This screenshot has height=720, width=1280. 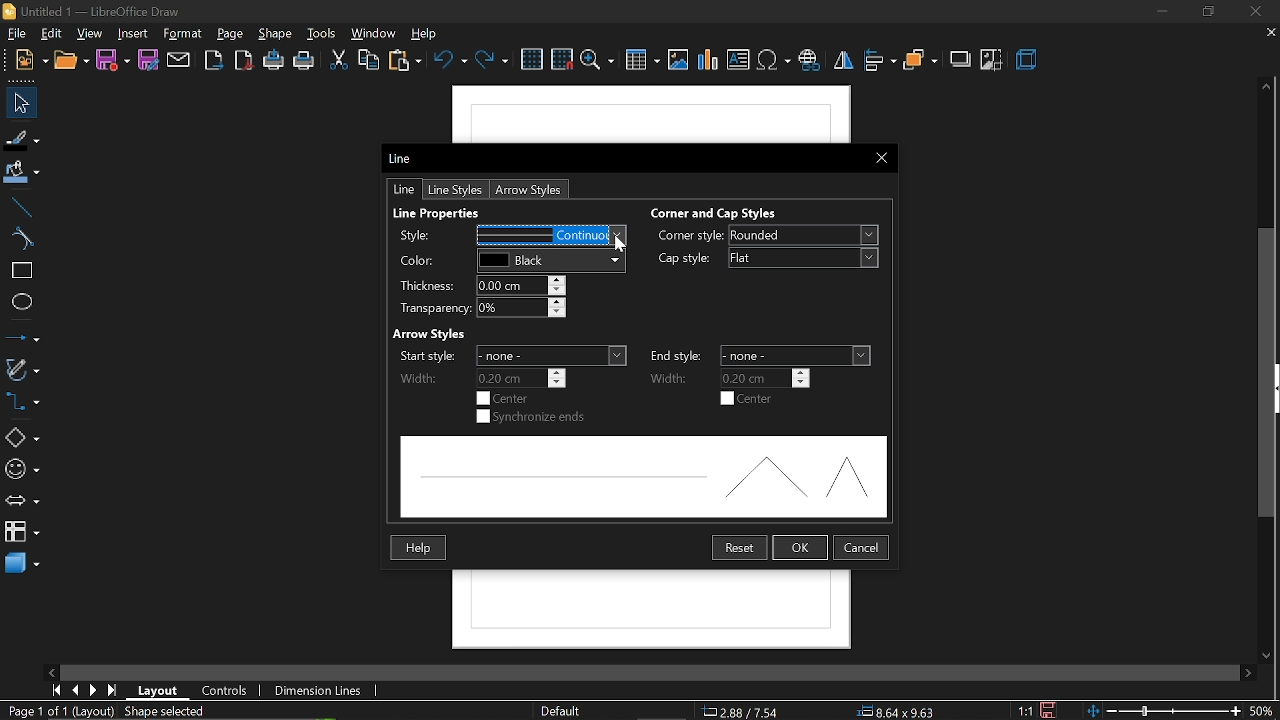 What do you see at coordinates (223, 690) in the screenshot?
I see `controls` at bounding box center [223, 690].